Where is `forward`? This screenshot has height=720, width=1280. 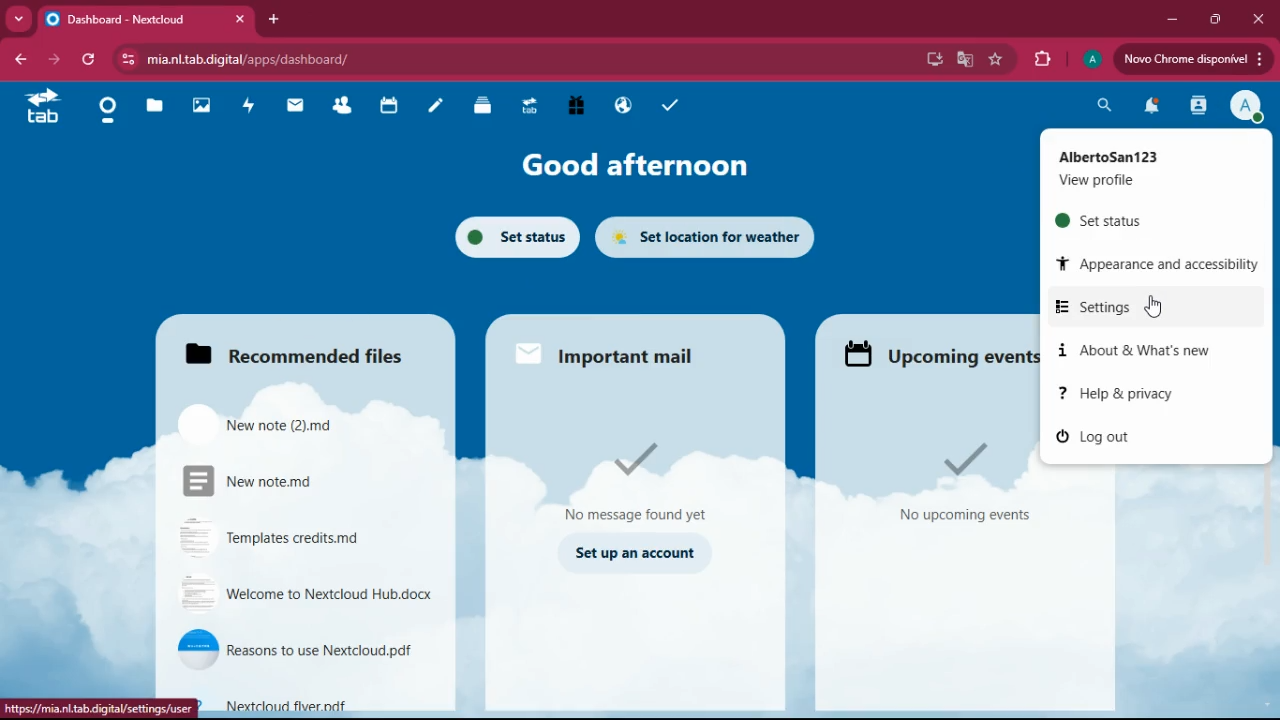 forward is located at coordinates (54, 59).